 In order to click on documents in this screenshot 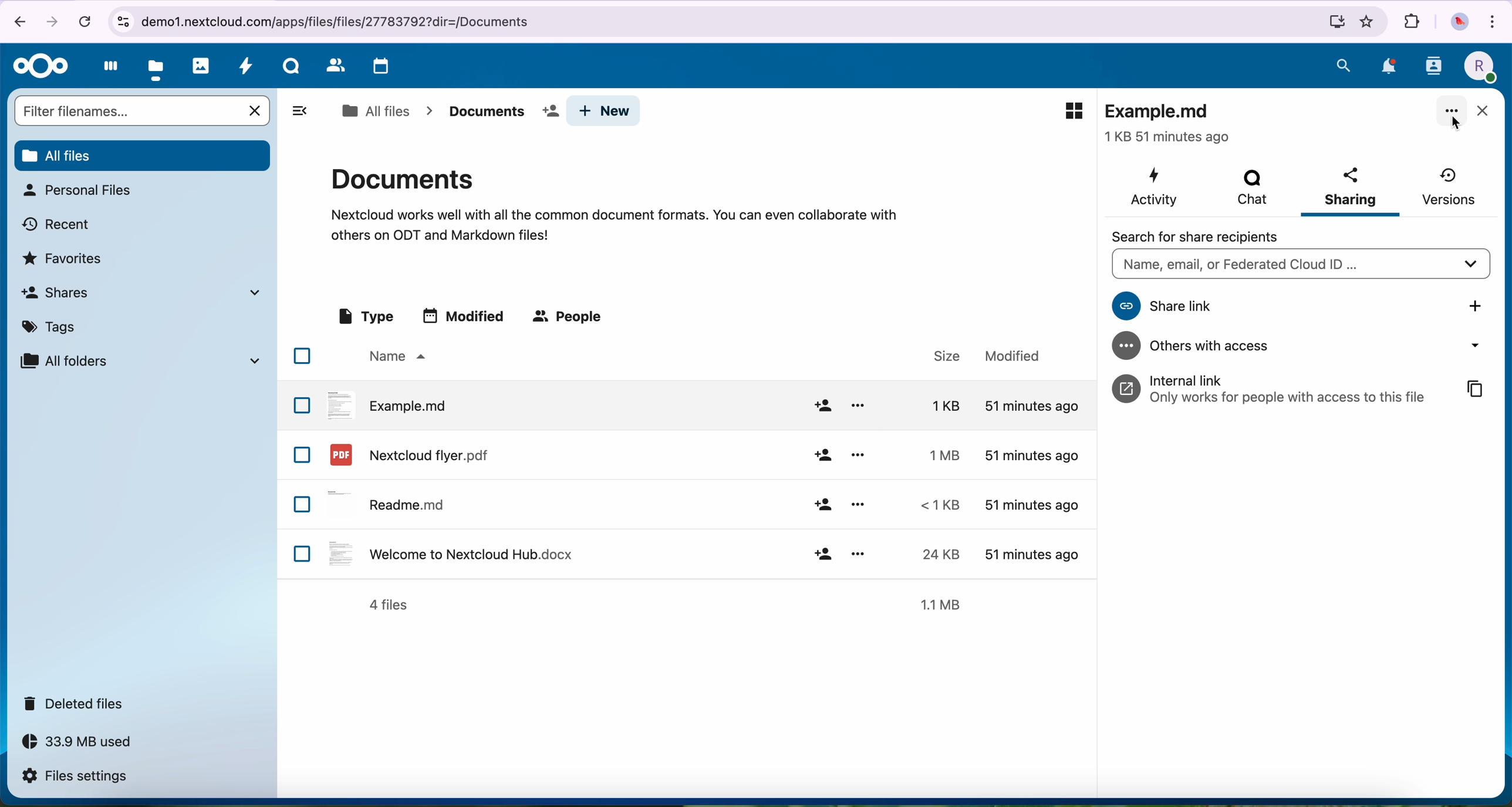, I will do `click(499, 112)`.